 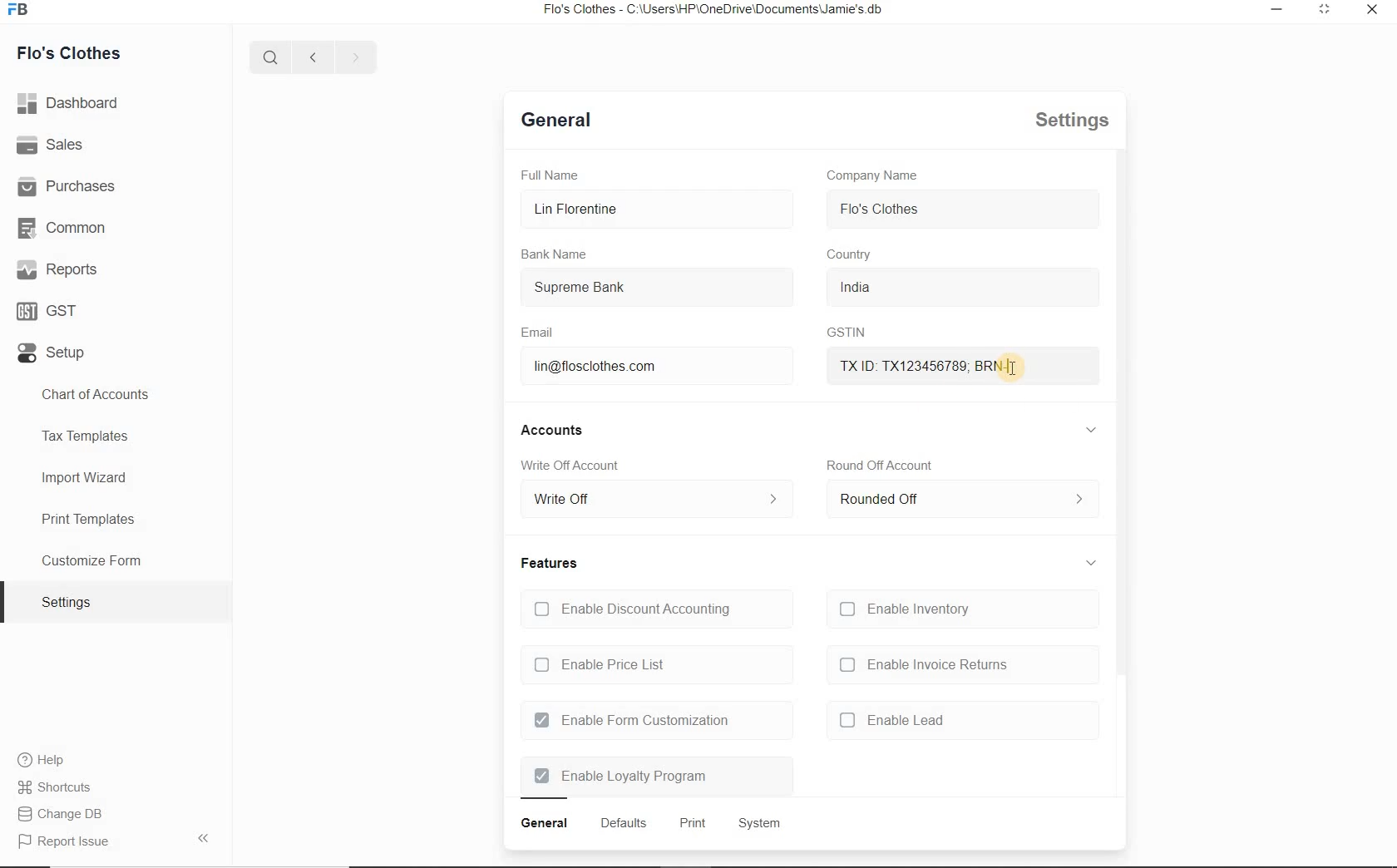 I want to click on Setup, so click(x=55, y=351).